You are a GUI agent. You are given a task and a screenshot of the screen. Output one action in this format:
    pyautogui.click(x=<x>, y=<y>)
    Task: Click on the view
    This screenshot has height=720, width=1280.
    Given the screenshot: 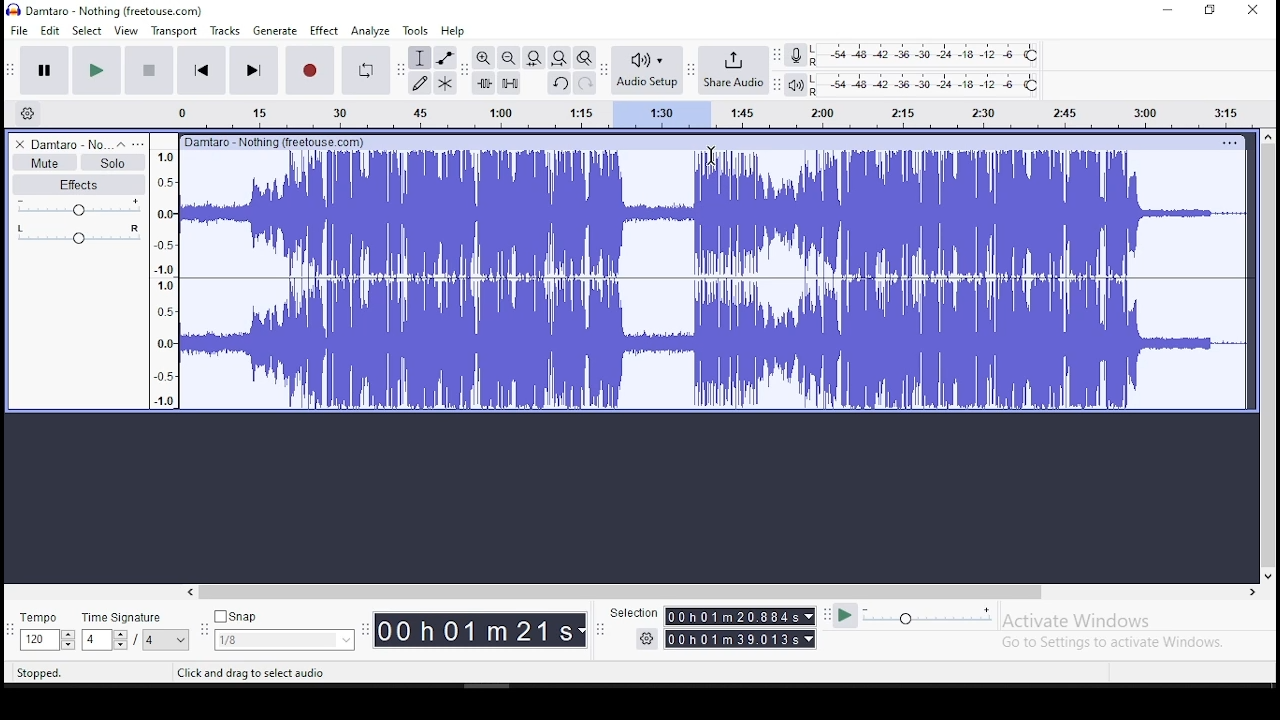 What is the action you would take?
    pyautogui.click(x=126, y=31)
    